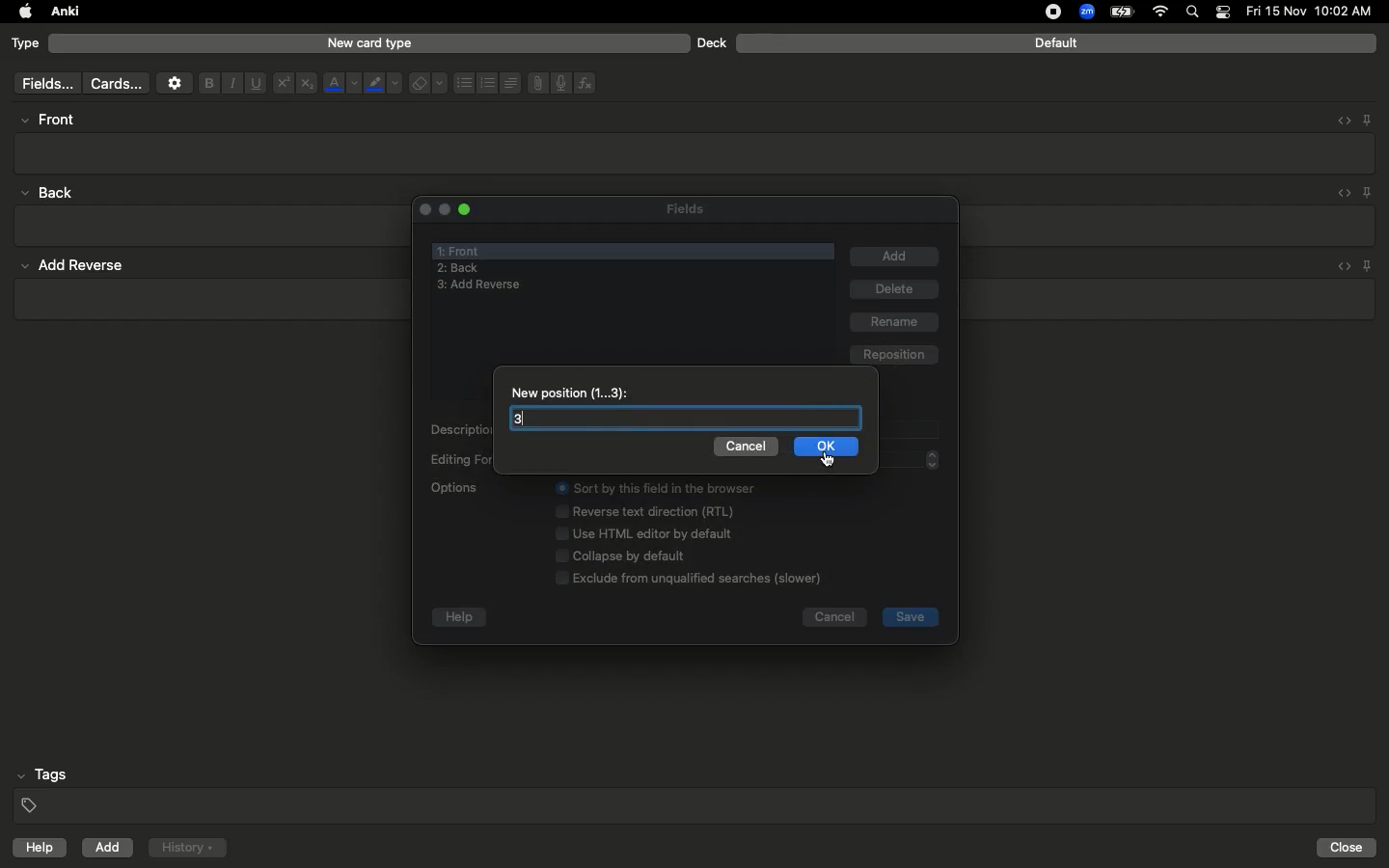 Image resolution: width=1389 pixels, height=868 pixels. Describe the element at coordinates (1367, 119) in the screenshot. I see `Pin` at that location.